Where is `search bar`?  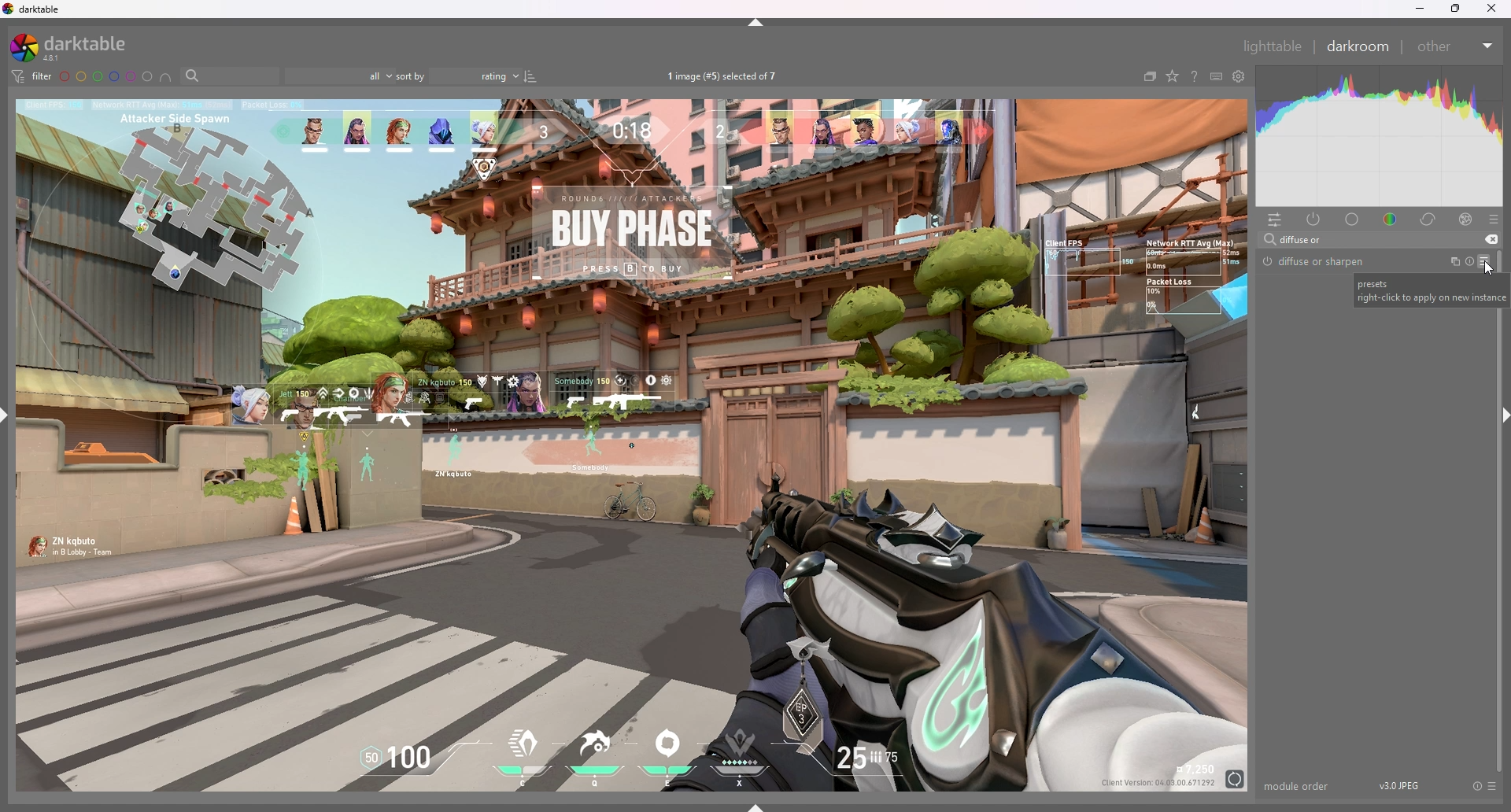
search bar is located at coordinates (230, 76).